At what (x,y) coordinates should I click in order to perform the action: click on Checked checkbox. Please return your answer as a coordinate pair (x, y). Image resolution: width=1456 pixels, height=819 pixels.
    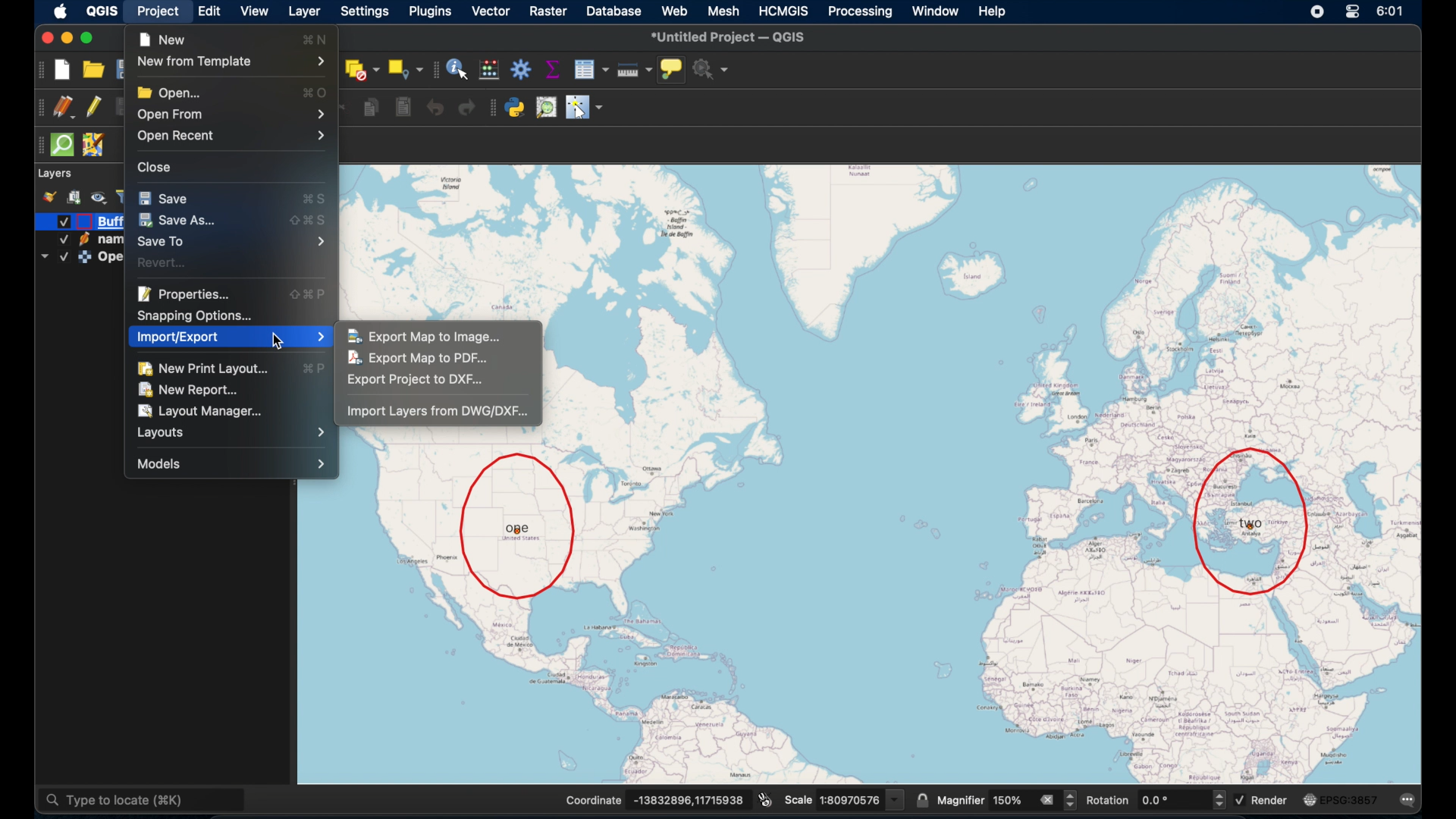
    Looking at the image, I should click on (1241, 800).